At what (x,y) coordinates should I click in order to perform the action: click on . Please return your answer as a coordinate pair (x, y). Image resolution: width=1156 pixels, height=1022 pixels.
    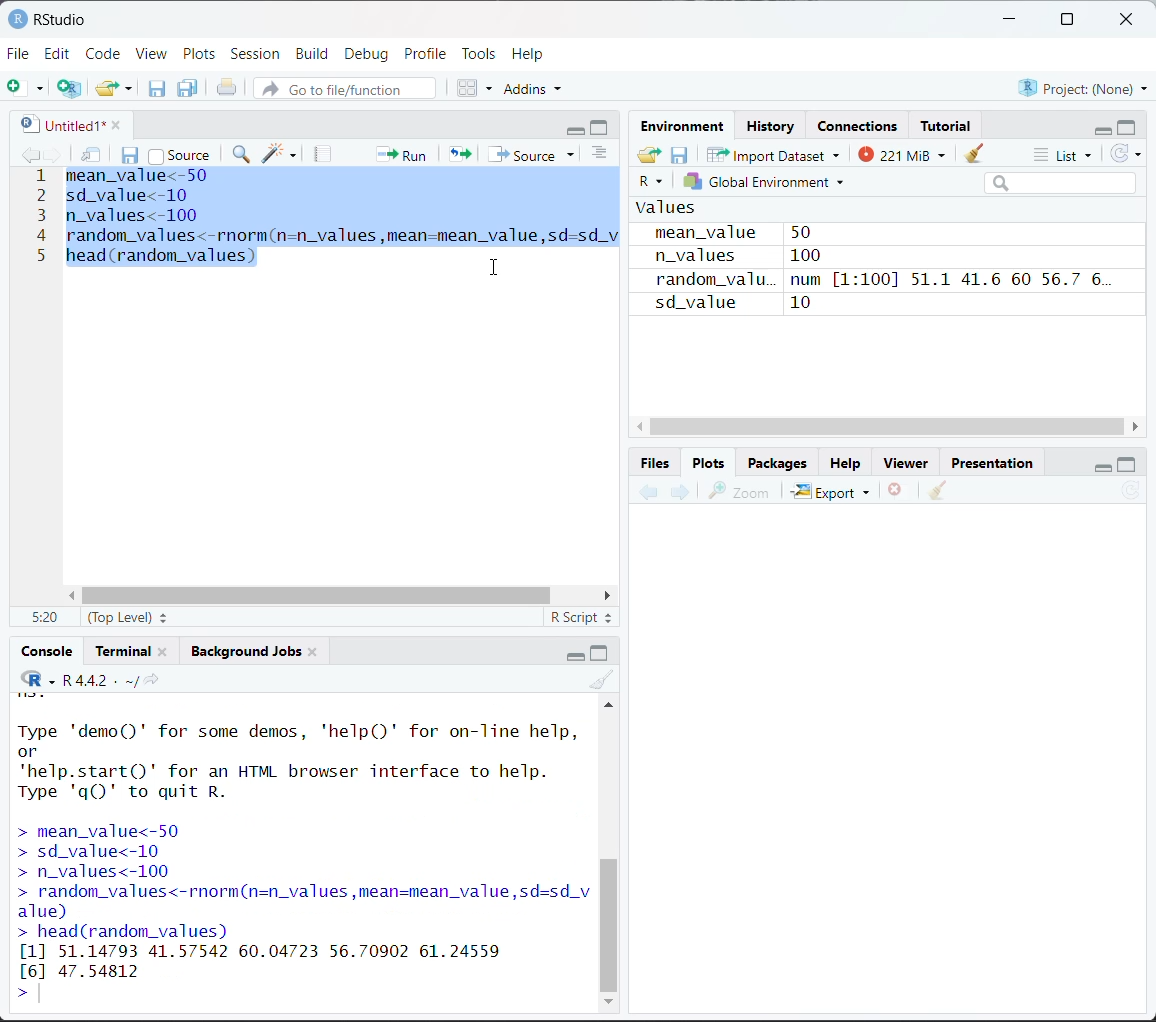
    Looking at the image, I should click on (657, 462).